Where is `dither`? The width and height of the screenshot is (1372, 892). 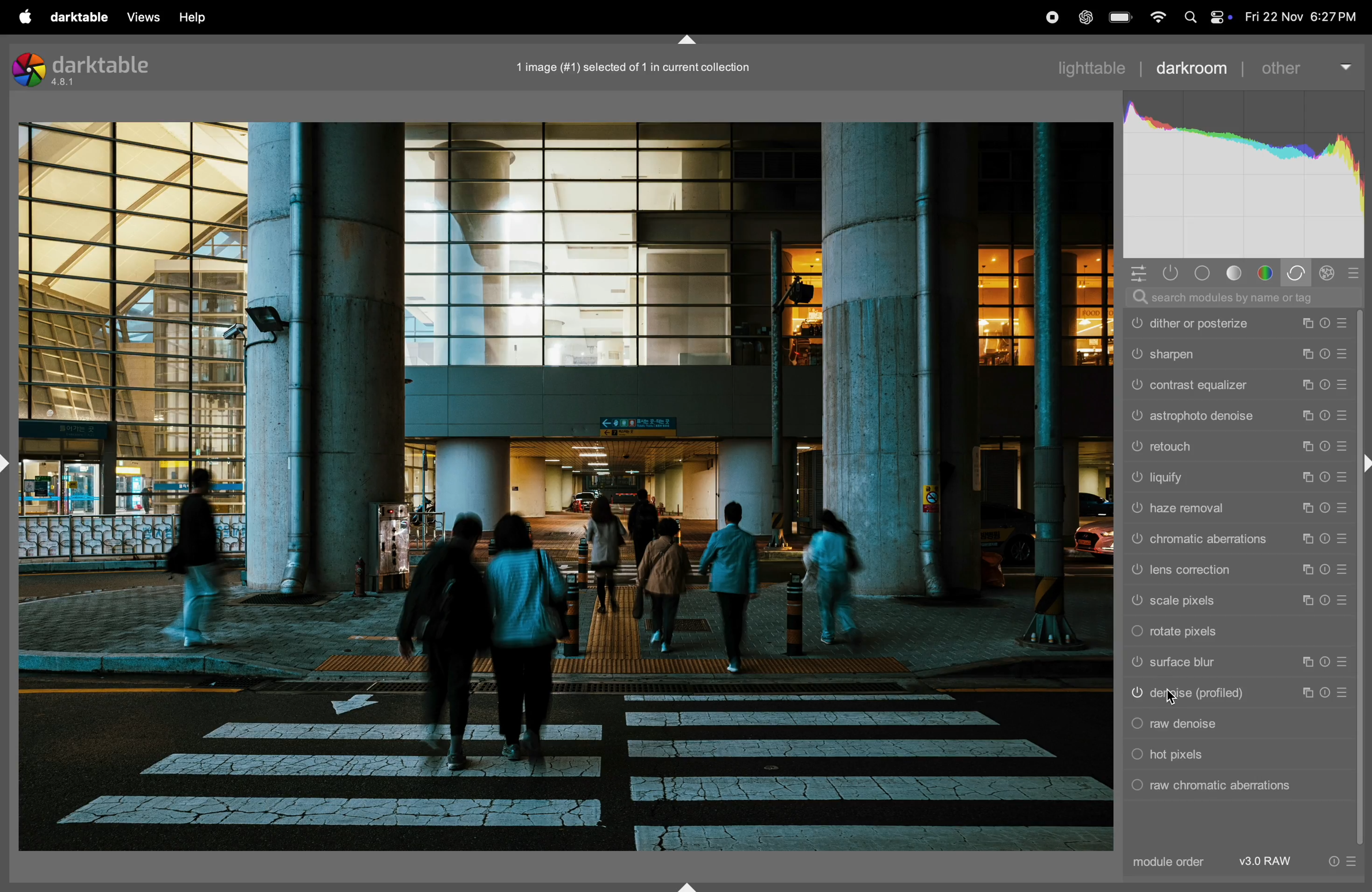 dither is located at coordinates (1238, 325).